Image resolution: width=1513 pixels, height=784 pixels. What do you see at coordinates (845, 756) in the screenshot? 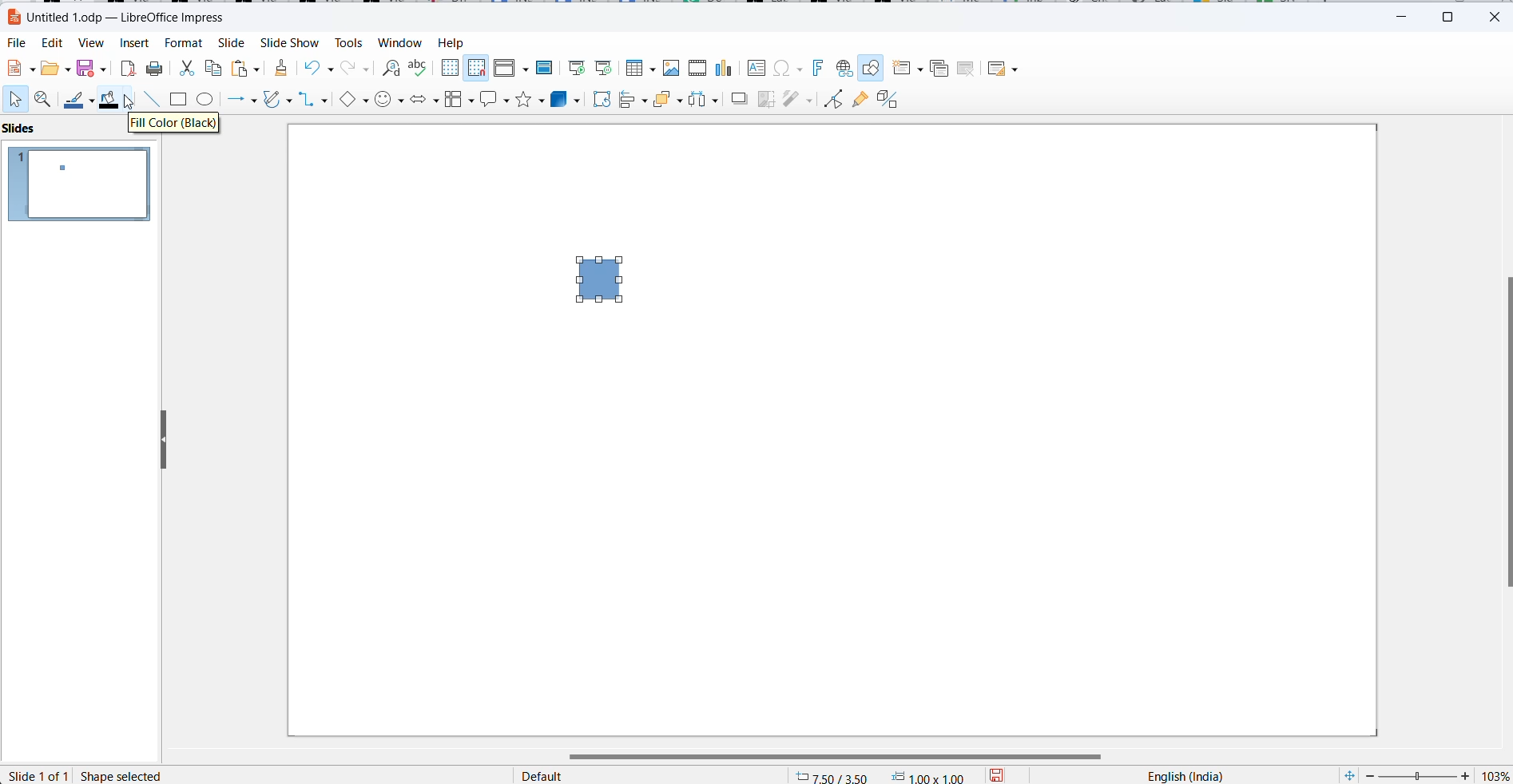
I see `scroll bar ` at bounding box center [845, 756].